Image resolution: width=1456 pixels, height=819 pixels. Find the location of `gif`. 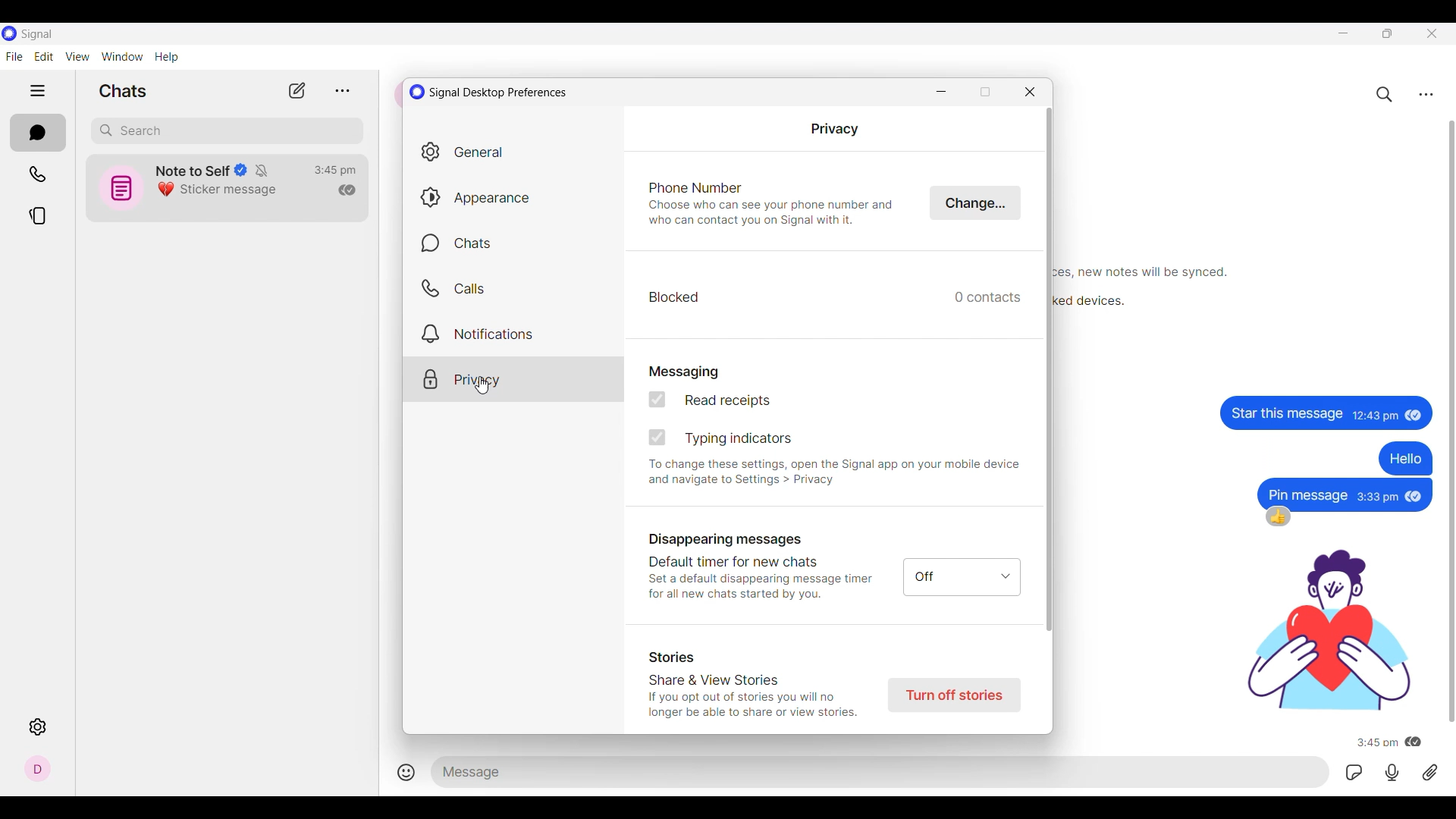

gif is located at coordinates (1326, 629).